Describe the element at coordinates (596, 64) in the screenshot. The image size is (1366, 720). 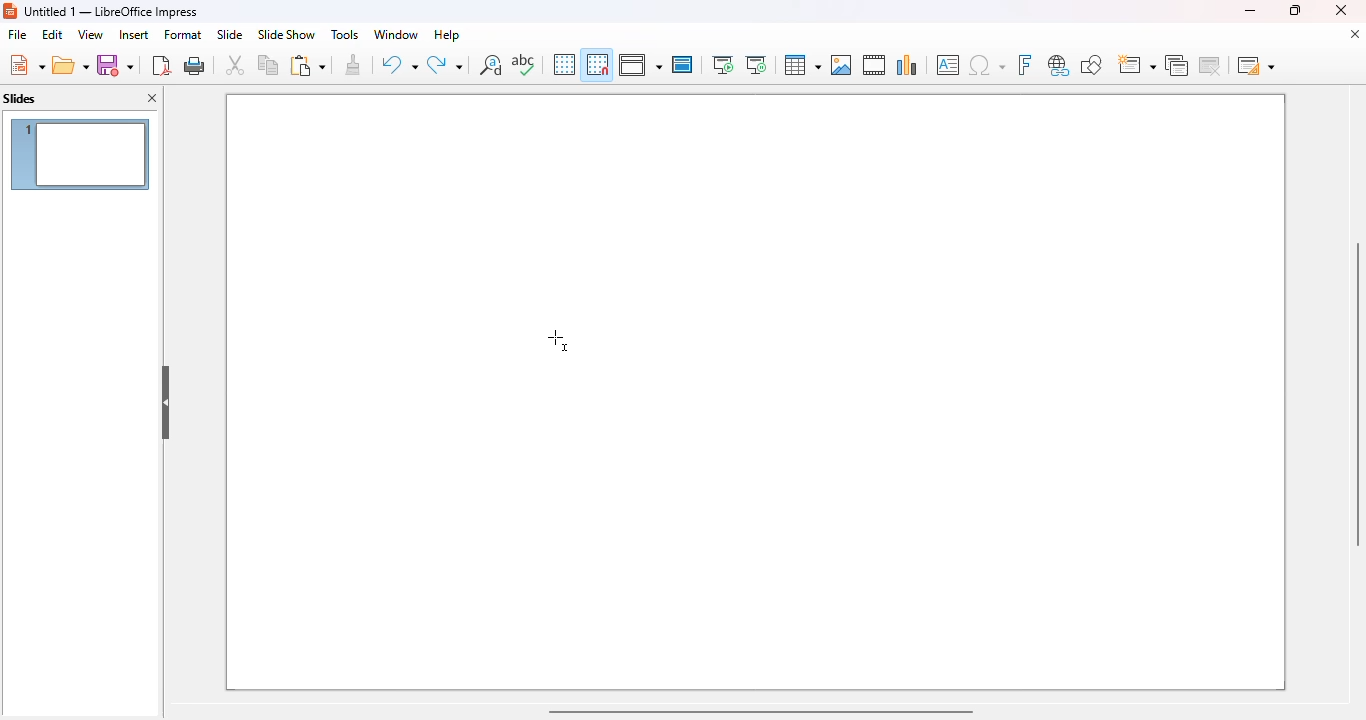
I see `snap to grid` at that location.